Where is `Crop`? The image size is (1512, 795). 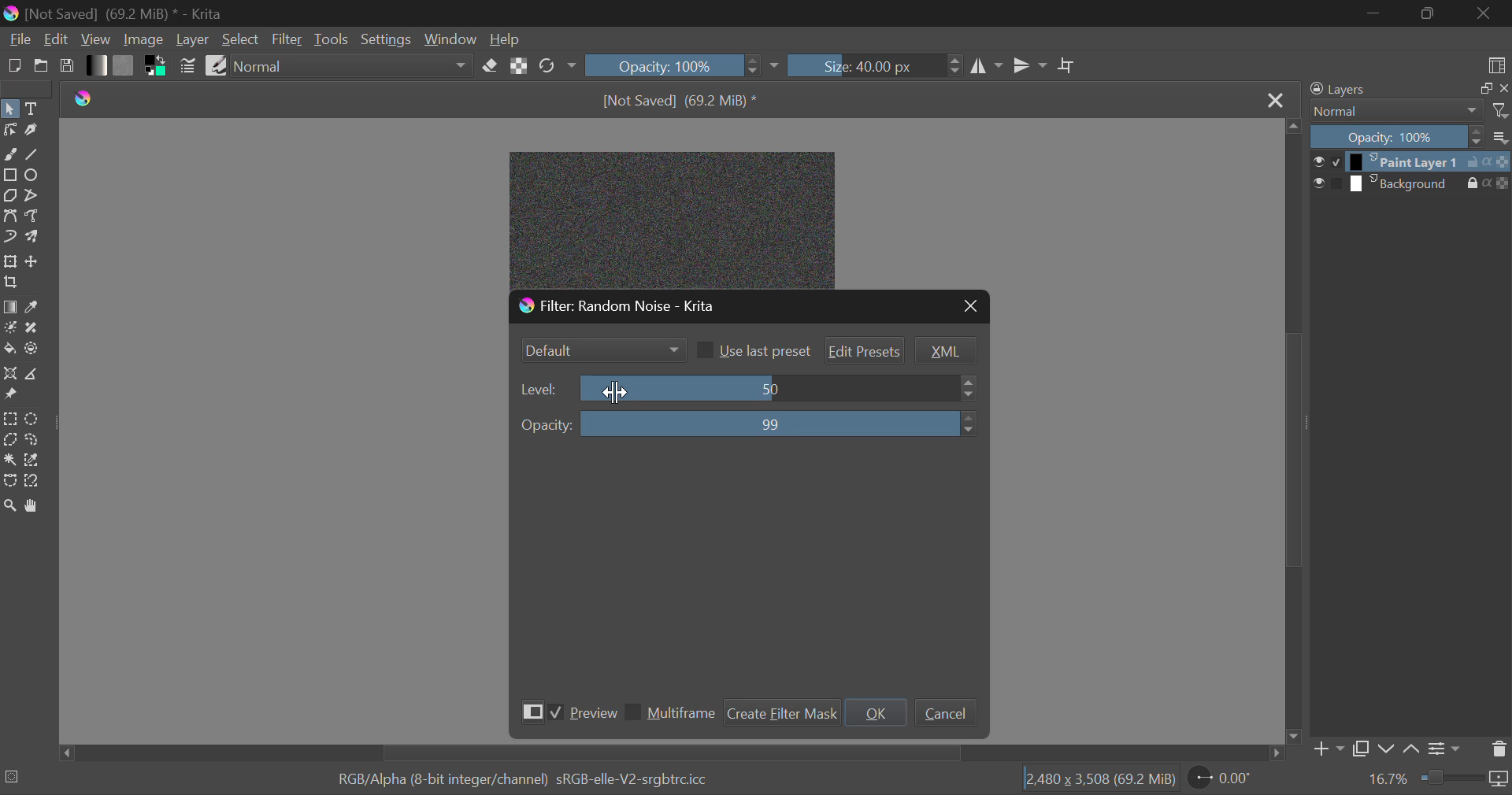 Crop is located at coordinates (9, 283).